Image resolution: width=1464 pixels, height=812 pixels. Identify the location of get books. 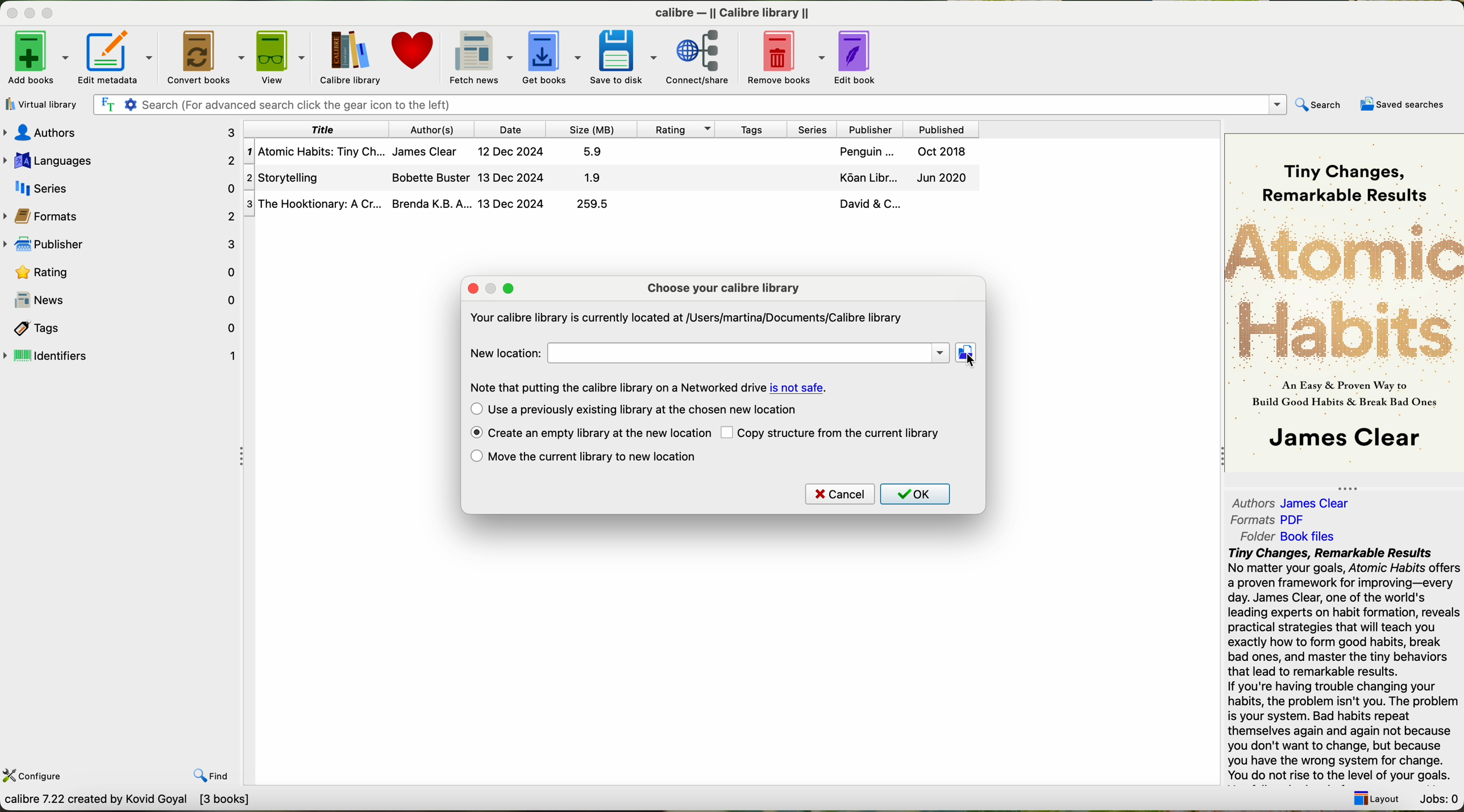
(551, 56).